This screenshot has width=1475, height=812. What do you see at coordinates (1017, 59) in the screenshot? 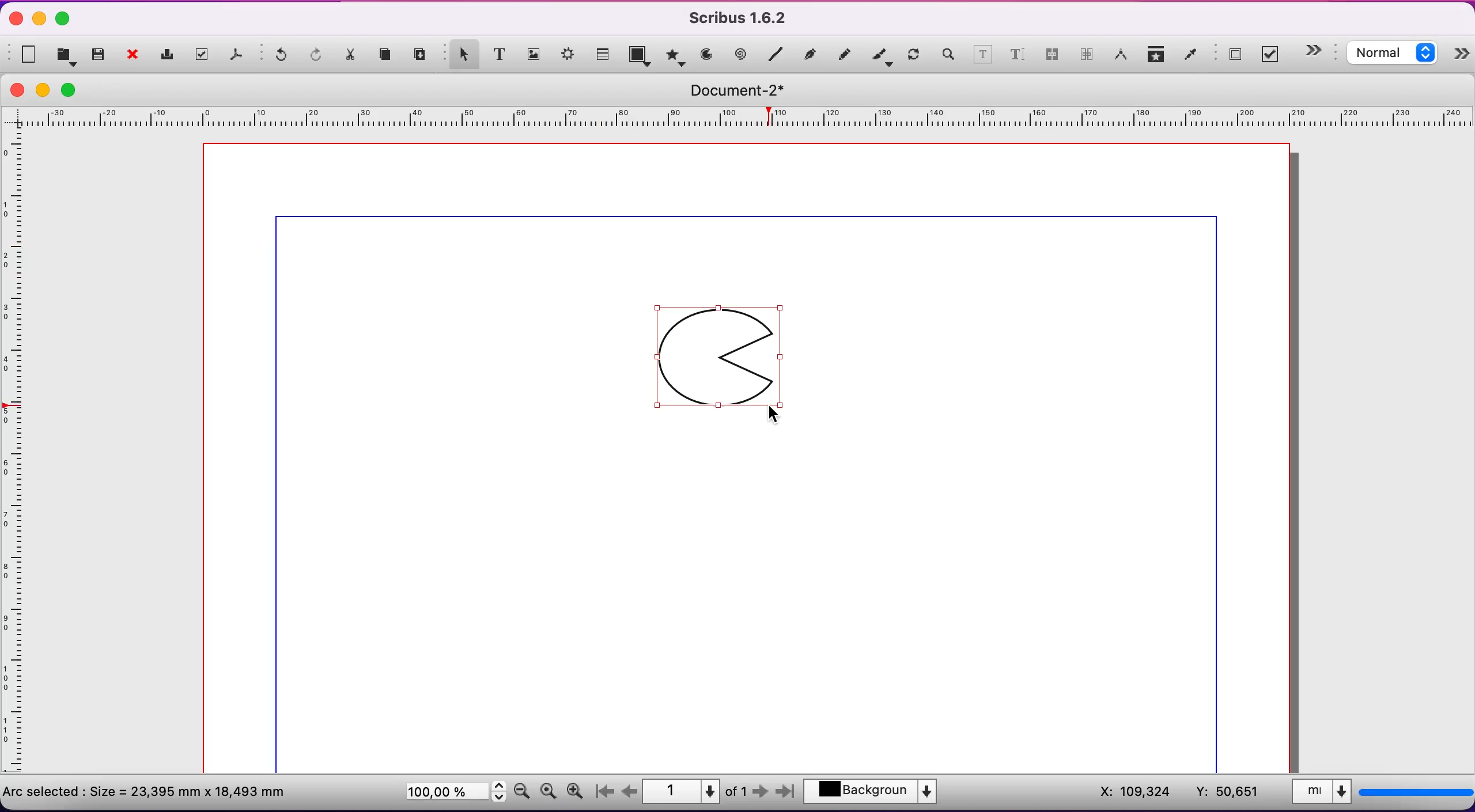
I see `edit text with story editor` at bounding box center [1017, 59].